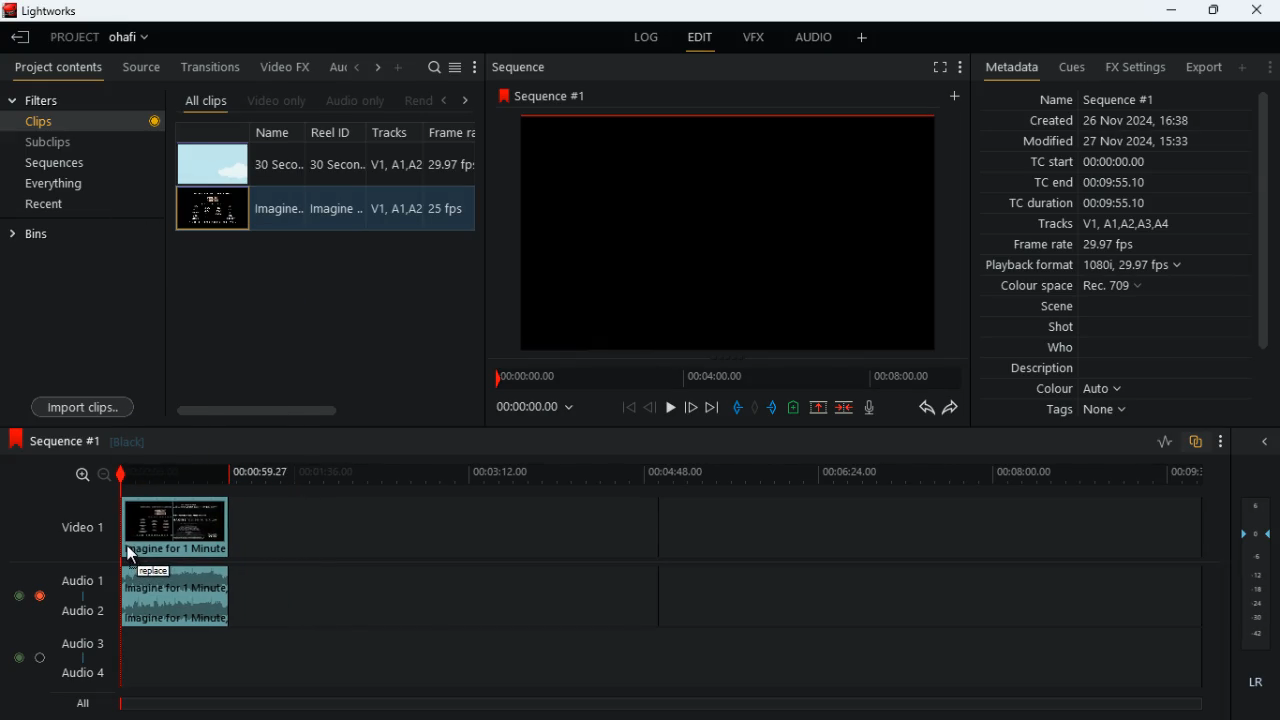  What do you see at coordinates (702, 39) in the screenshot?
I see `edit` at bounding box center [702, 39].